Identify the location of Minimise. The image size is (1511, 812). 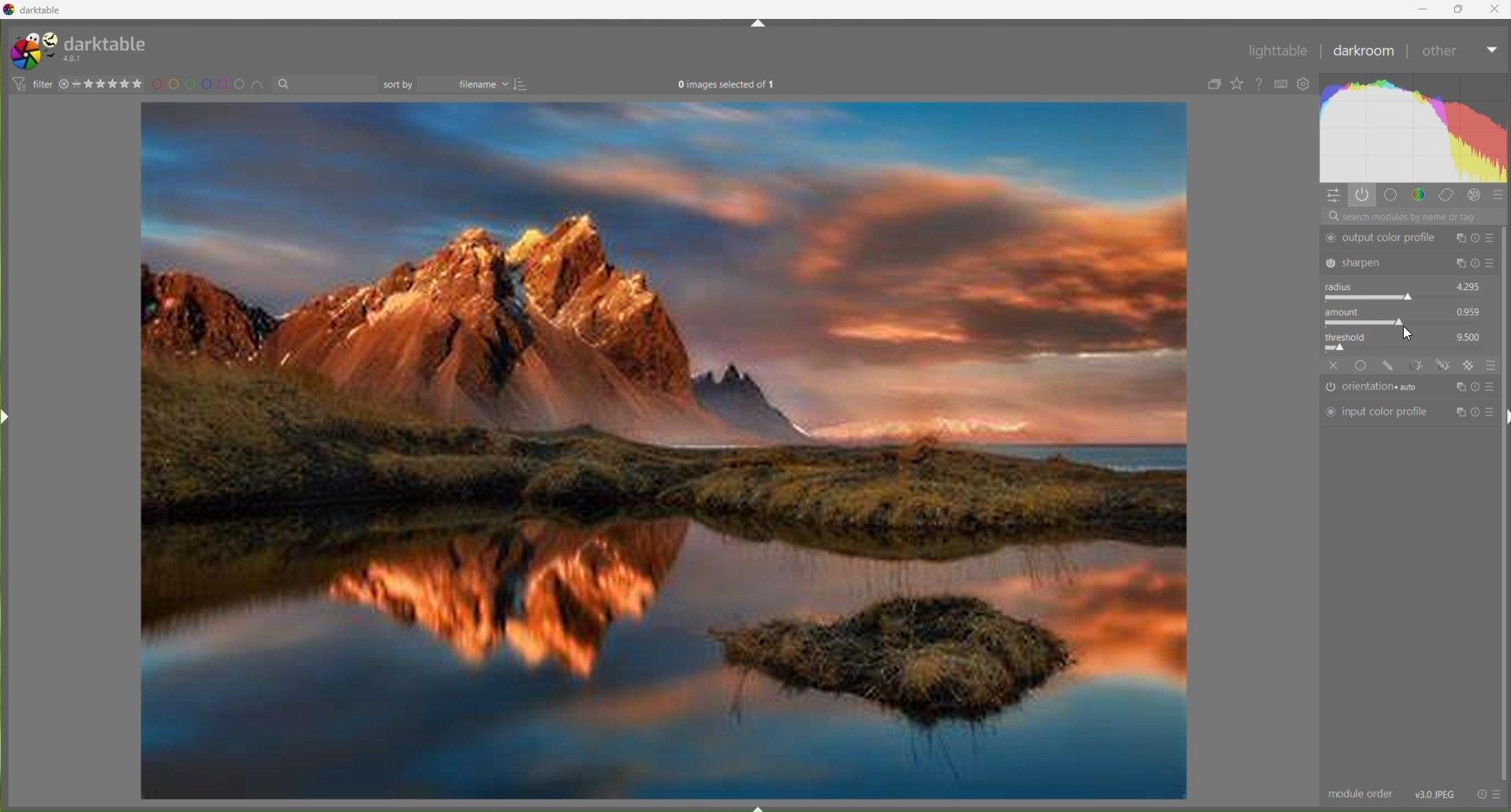
(1427, 9).